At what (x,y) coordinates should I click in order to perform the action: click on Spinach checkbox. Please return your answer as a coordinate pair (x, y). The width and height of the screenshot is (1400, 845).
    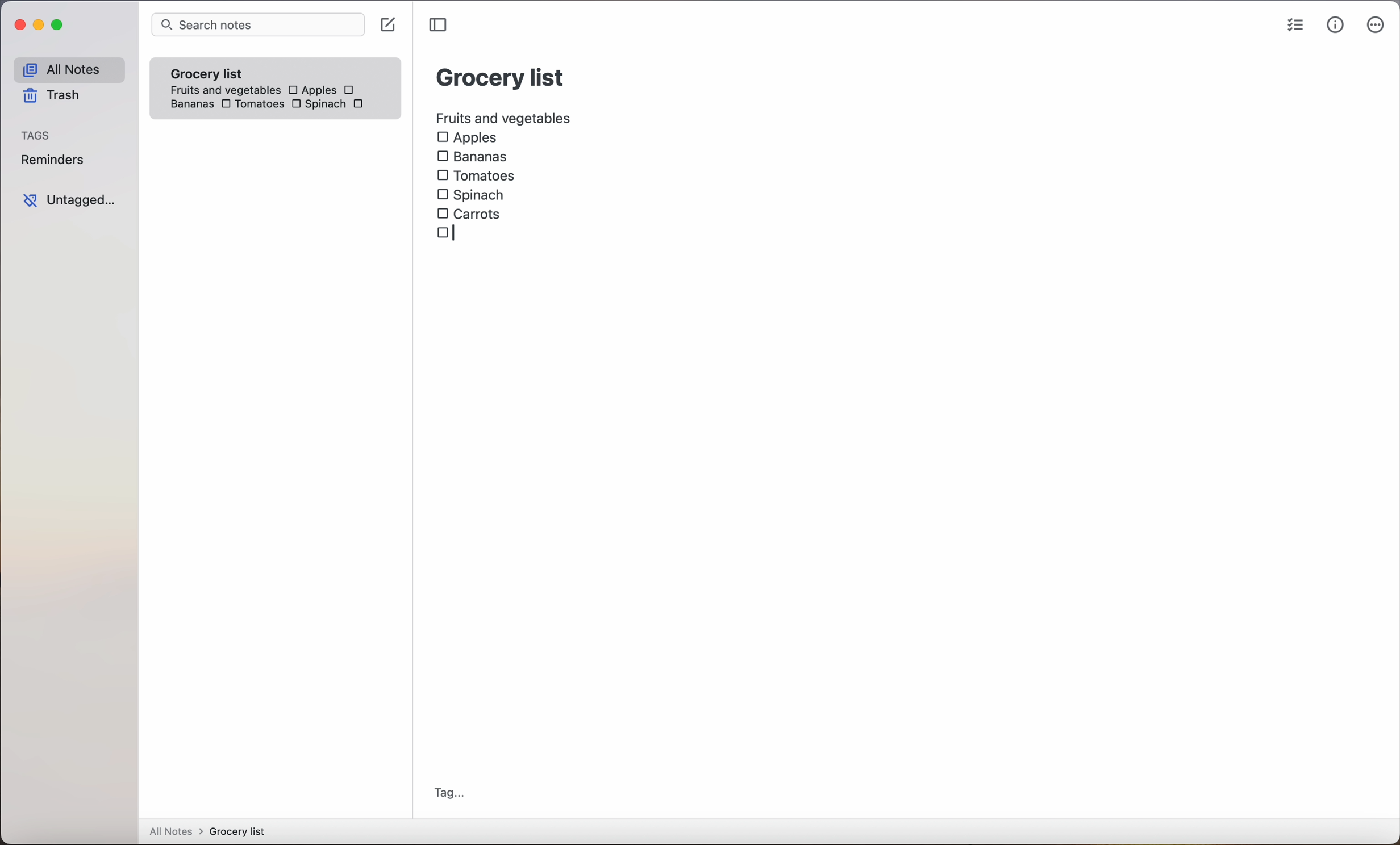
    Looking at the image, I should click on (318, 106).